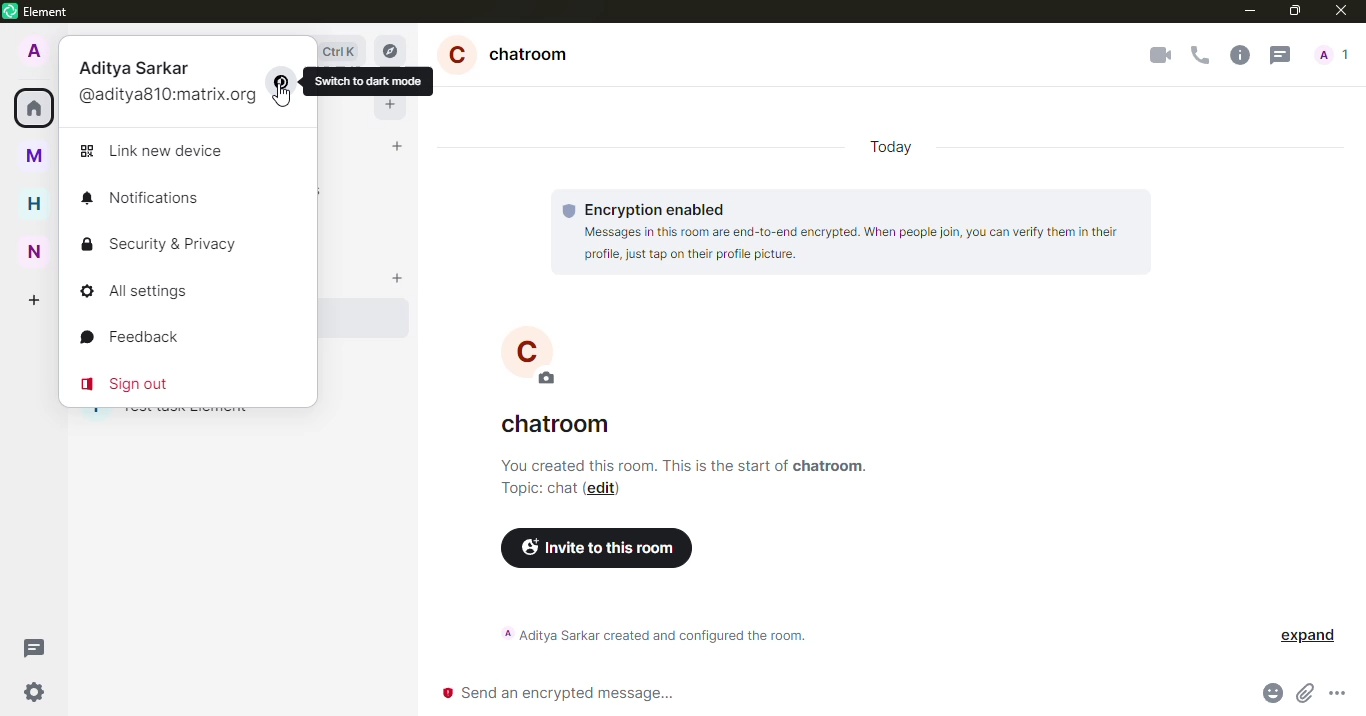 The width and height of the screenshot is (1366, 716). What do you see at coordinates (1244, 10) in the screenshot?
I see `minimize` at bounding box center [1244, 10].